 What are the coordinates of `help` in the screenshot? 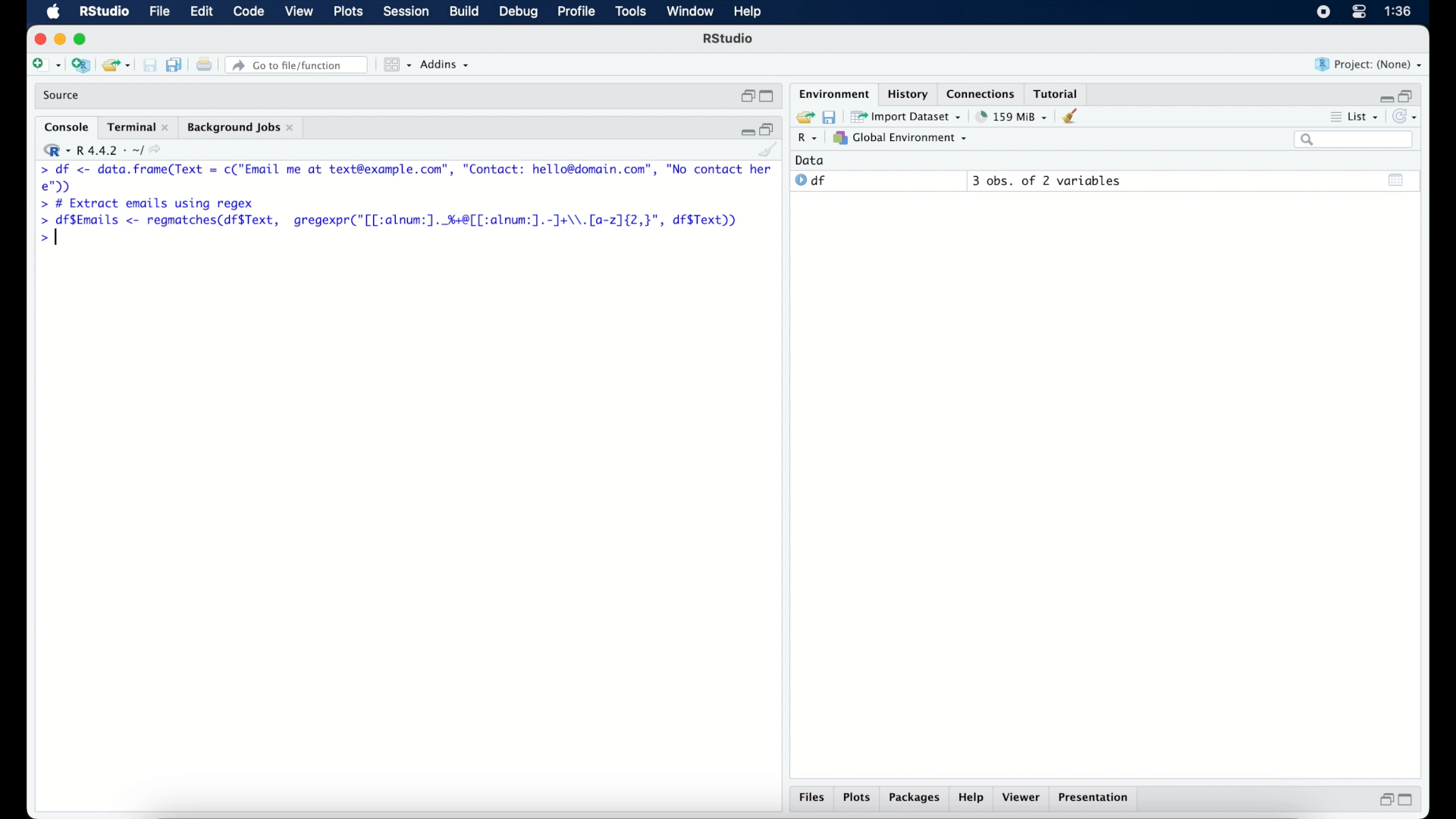 It's located at (748, 12).